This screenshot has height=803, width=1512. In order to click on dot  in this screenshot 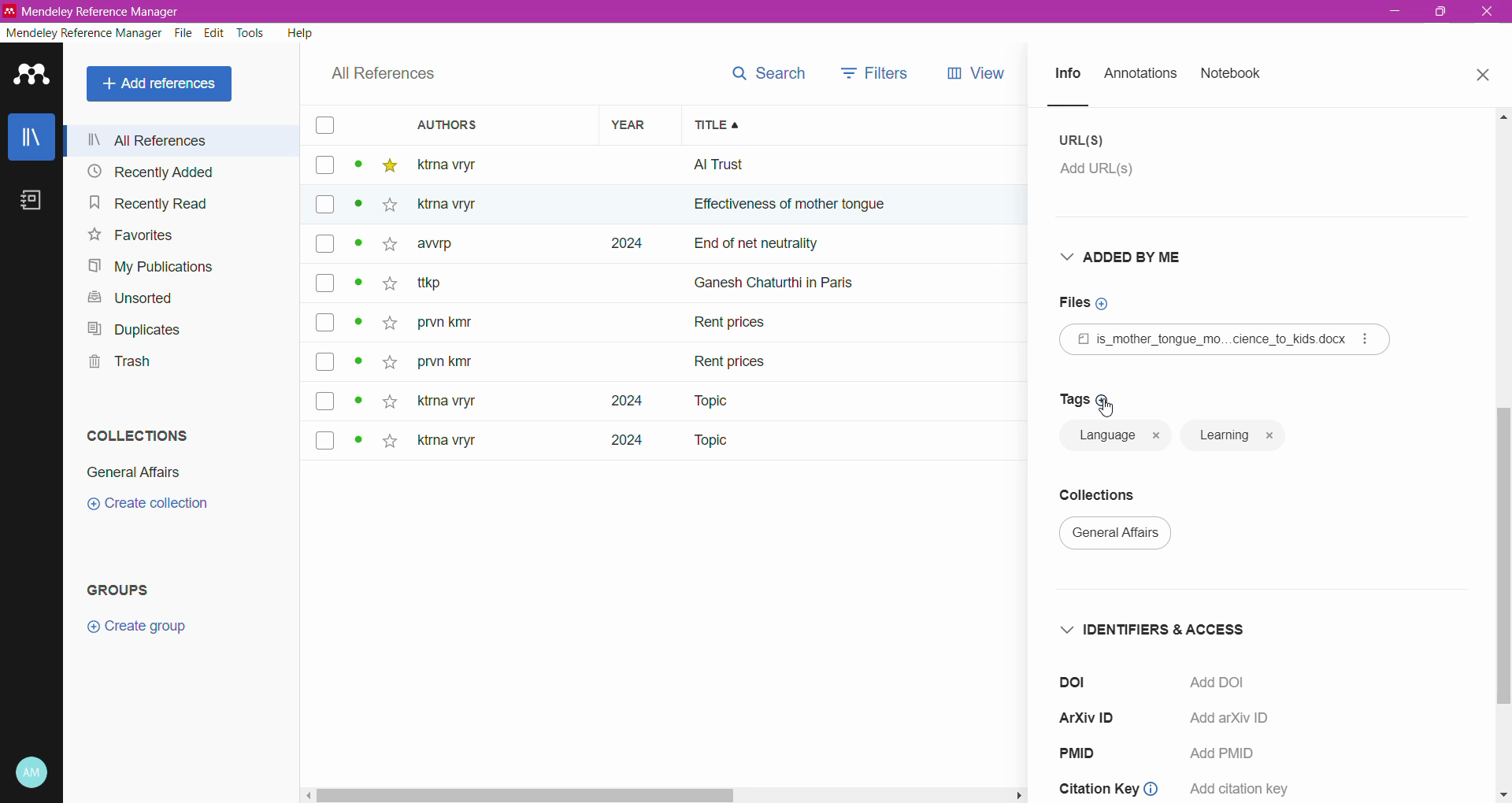, I will do `click(358, 248)`.